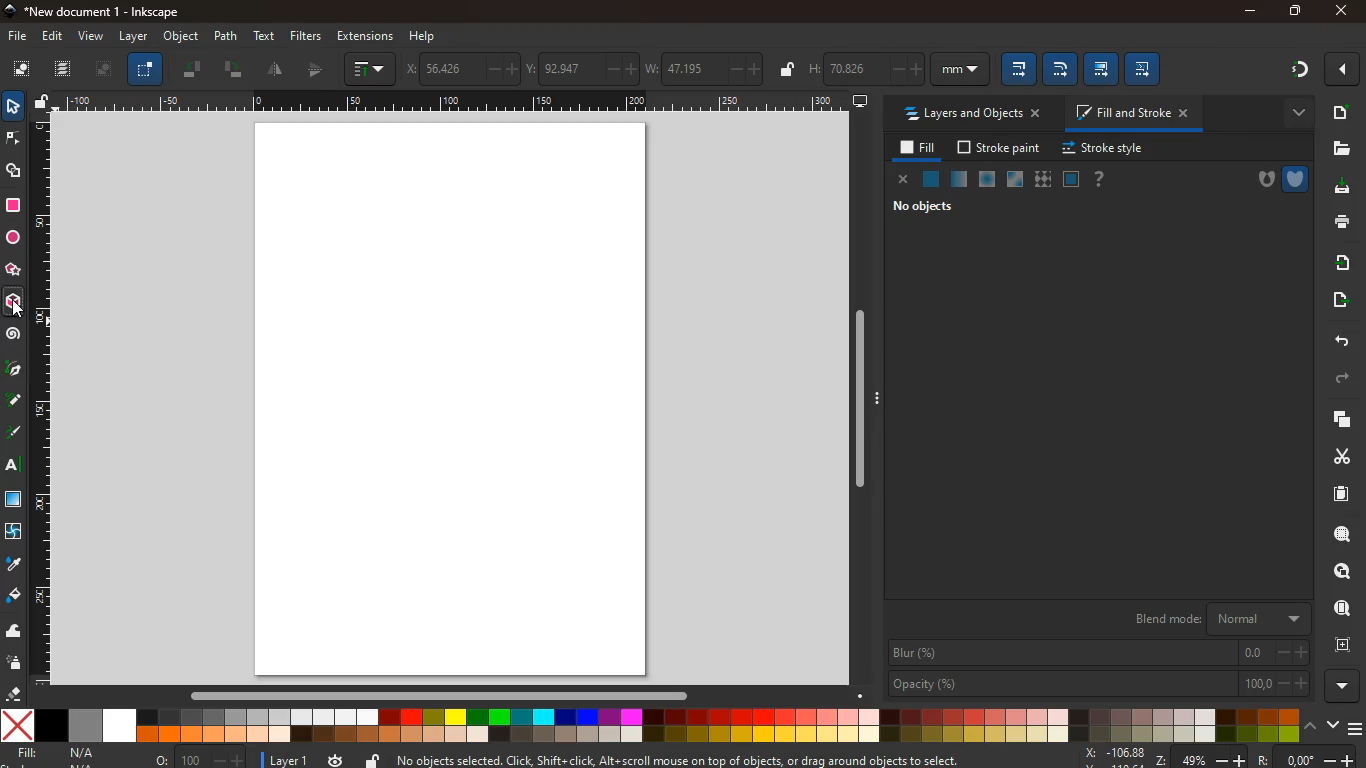 This screenshot has height=768, width=1366. What do you see at coordinates (879, 397) in the screenshot?
I see `Expand` at bounding box center [879, 397].